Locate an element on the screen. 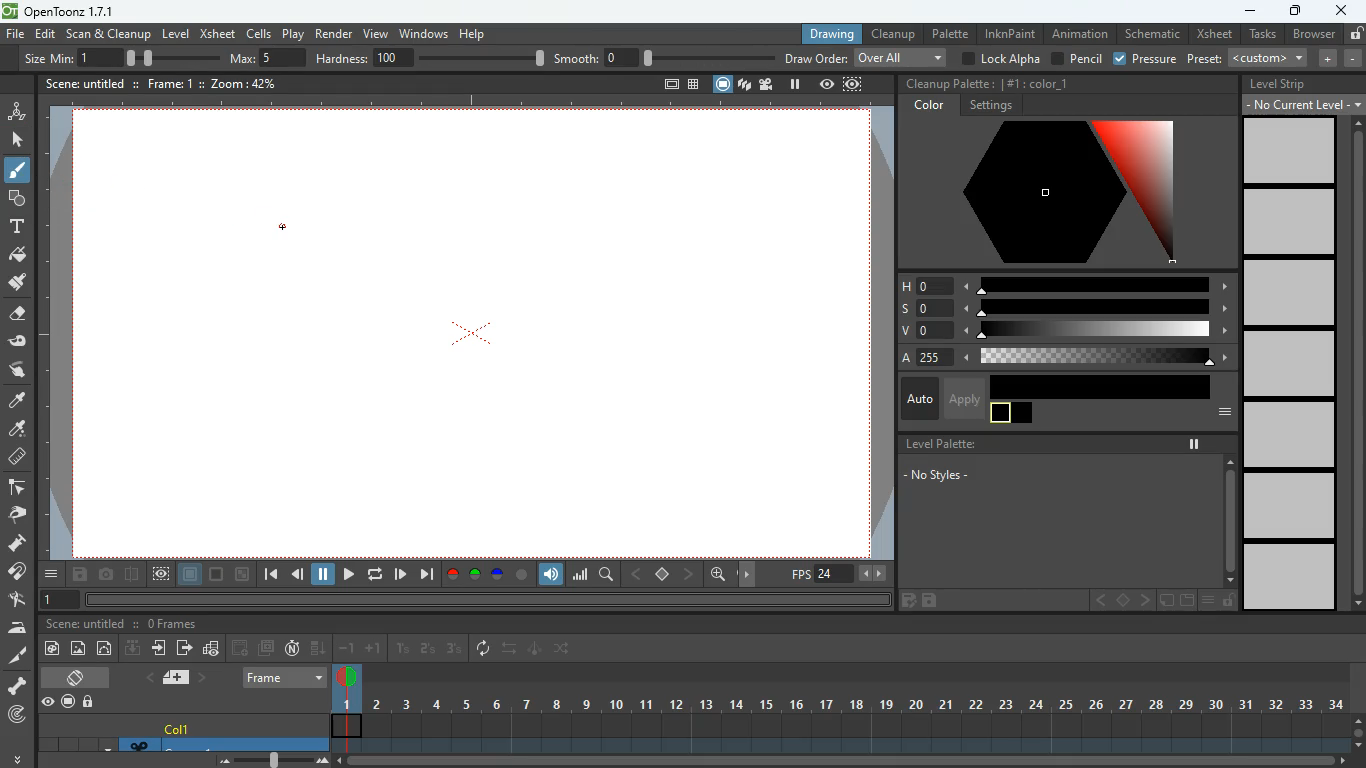 This screenshot has height=768, width=1366. menu is located at coordinates (1207, 601).